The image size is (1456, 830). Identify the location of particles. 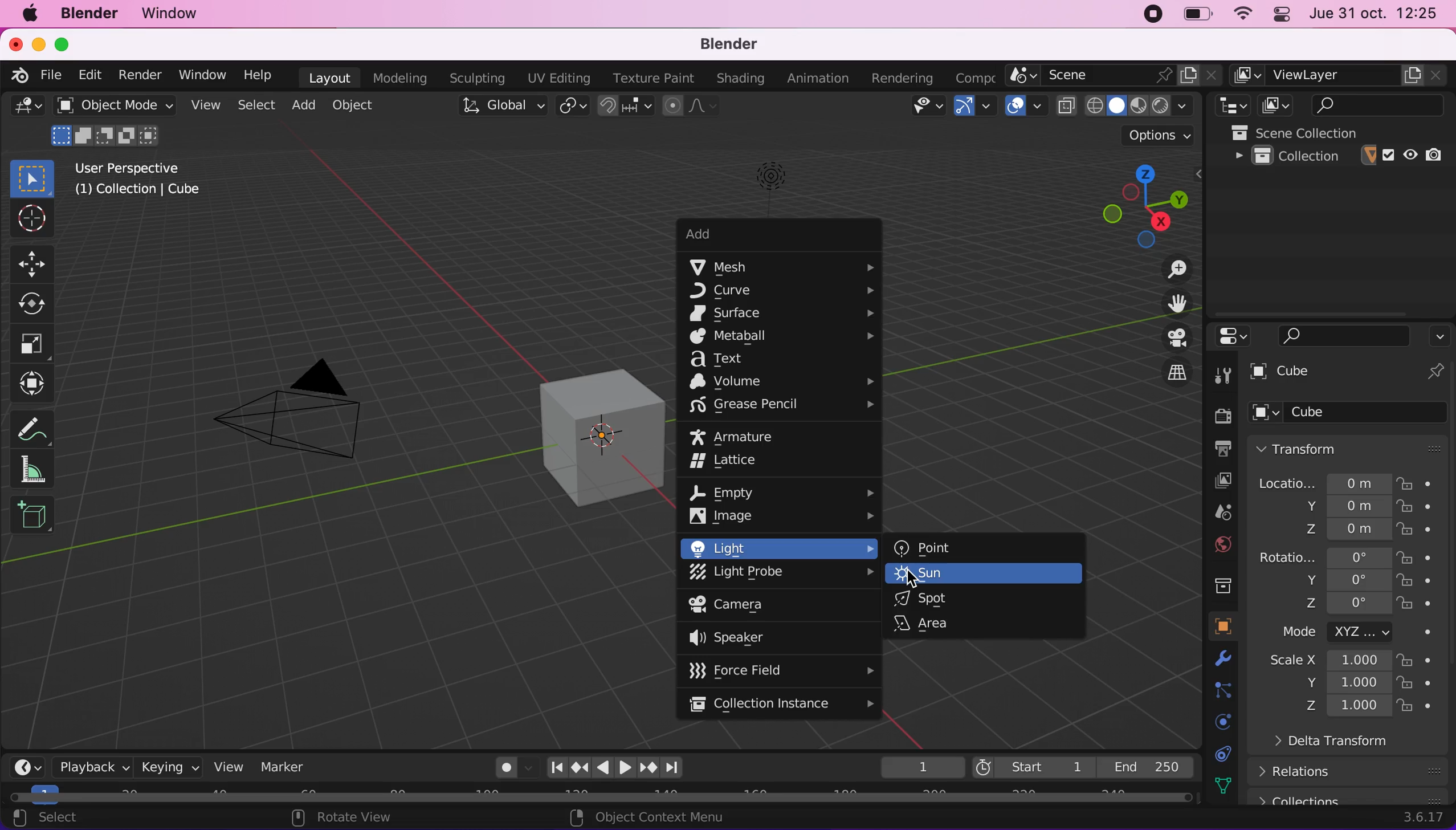
(1218, 690).